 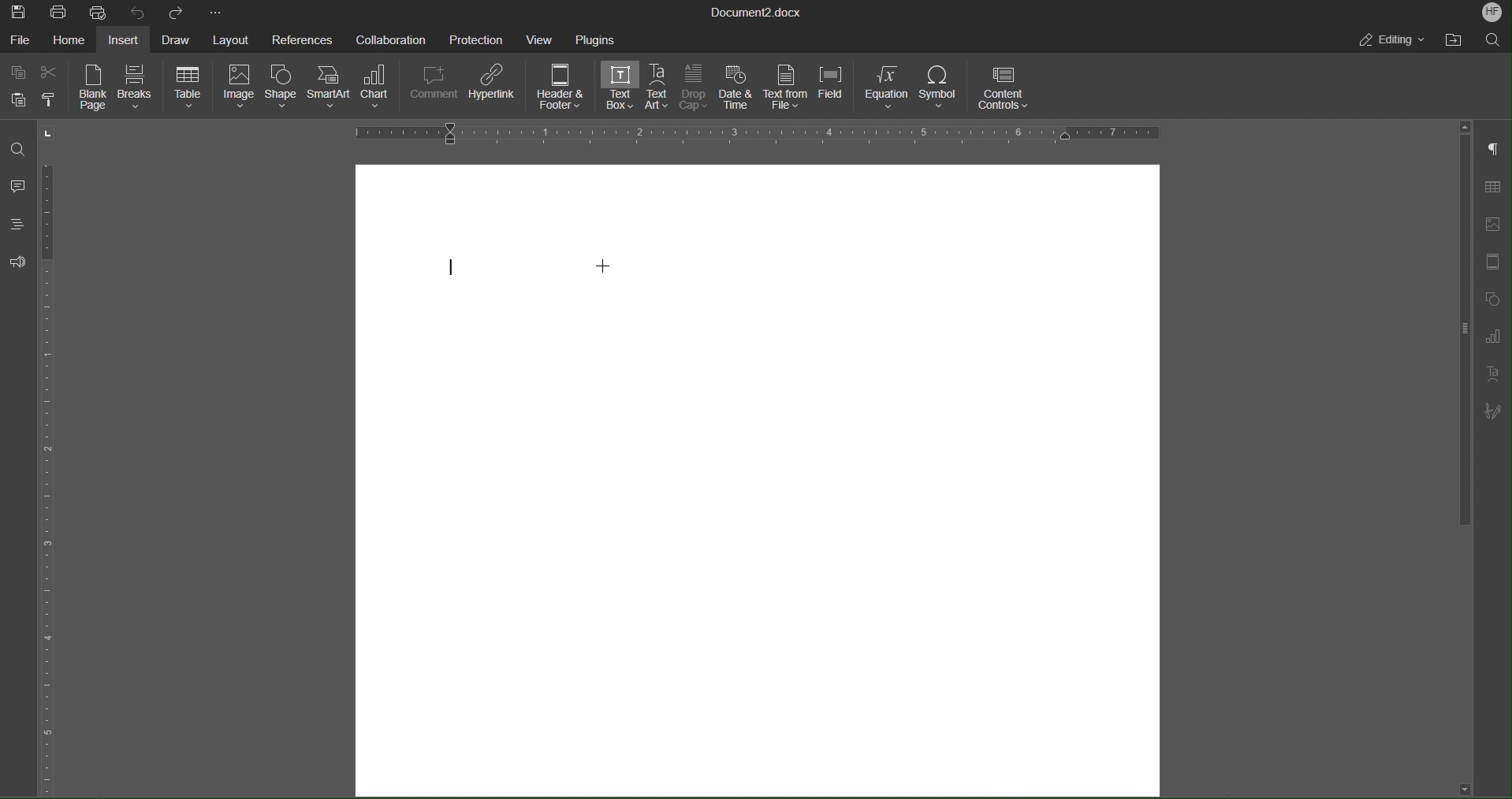 What do you see at coordinates (542, 38) in the screenshot?
I see `View` at bounding box center [542, 38].